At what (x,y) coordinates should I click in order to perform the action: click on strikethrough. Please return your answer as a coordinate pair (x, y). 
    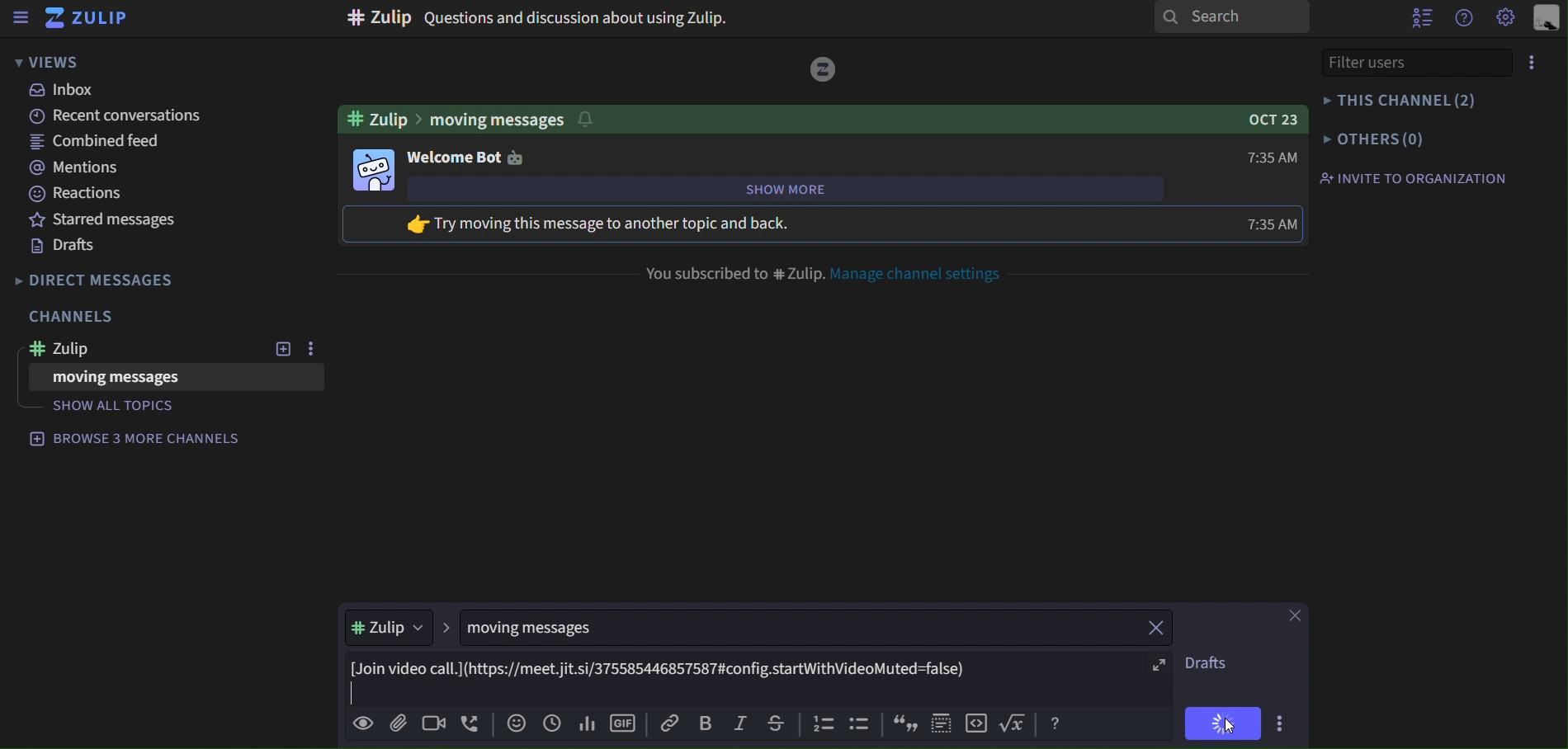
    Looking at the image, I should click on (776, 726).